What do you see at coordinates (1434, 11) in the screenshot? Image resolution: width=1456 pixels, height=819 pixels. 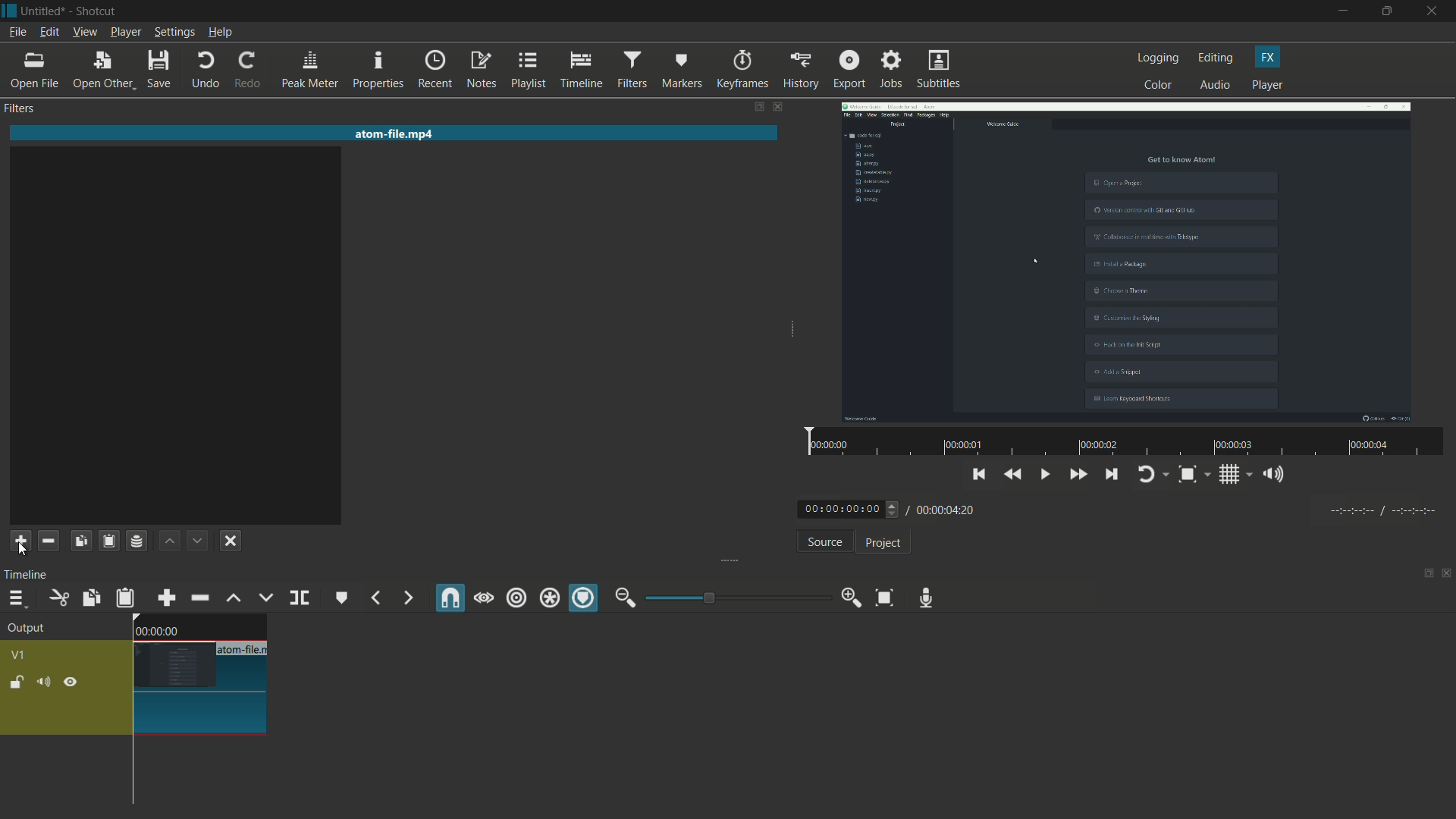 I see `close app` at bounding box center [1434, 11].